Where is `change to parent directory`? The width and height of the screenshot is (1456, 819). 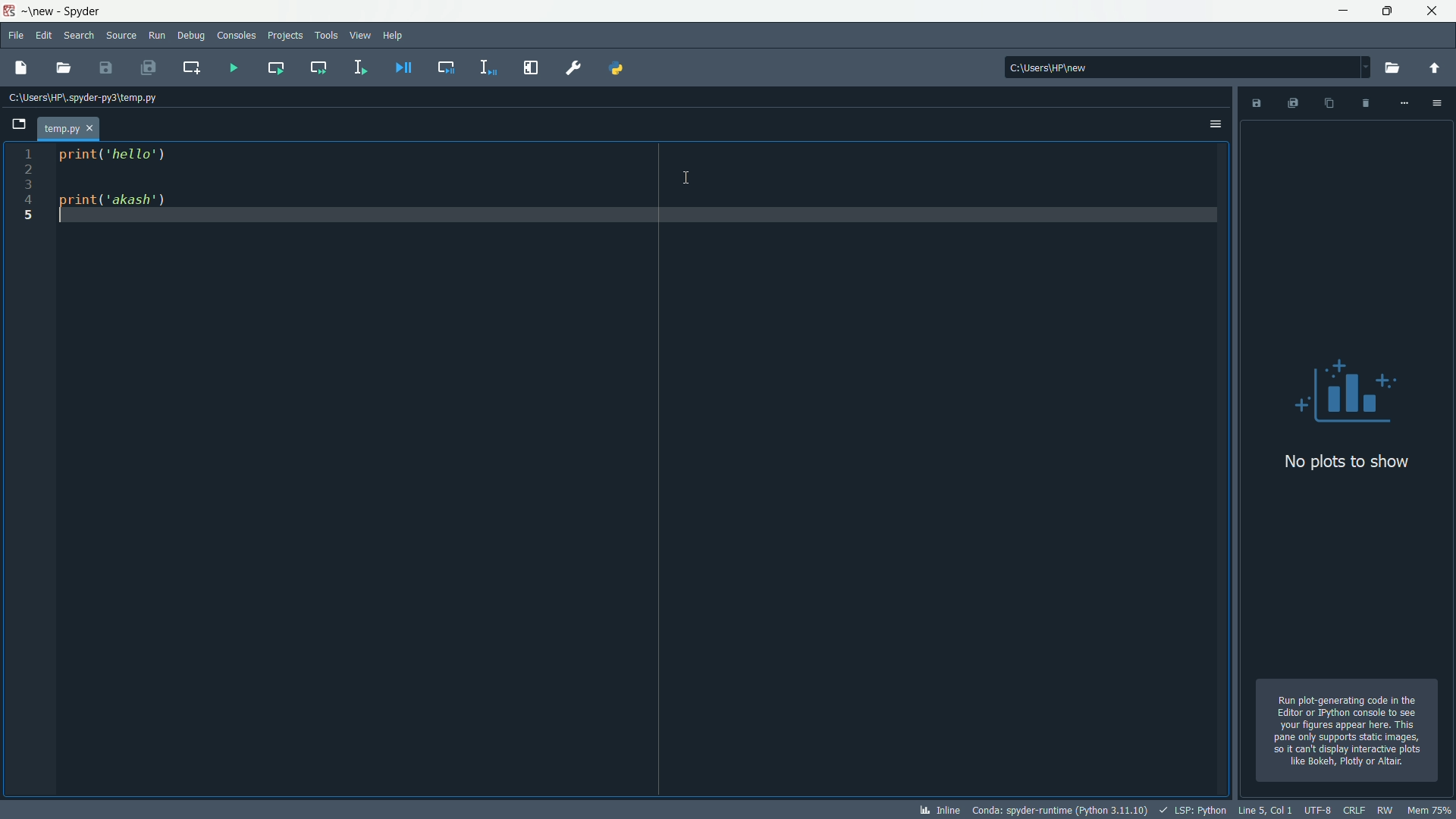 change to parent directory is located at coordinates (1436, 70).